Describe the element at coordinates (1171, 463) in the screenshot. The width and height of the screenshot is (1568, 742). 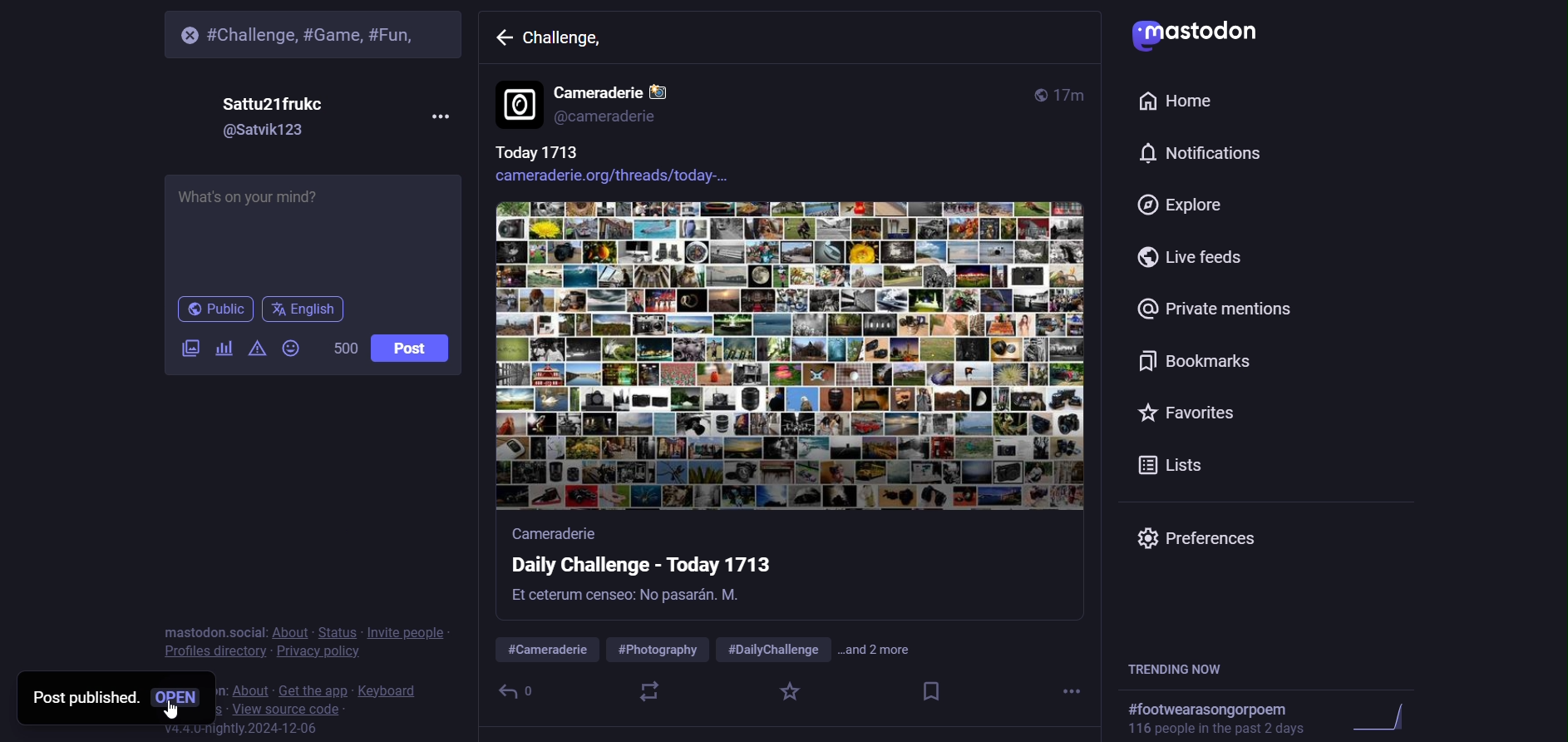
I see `lists` at that location.